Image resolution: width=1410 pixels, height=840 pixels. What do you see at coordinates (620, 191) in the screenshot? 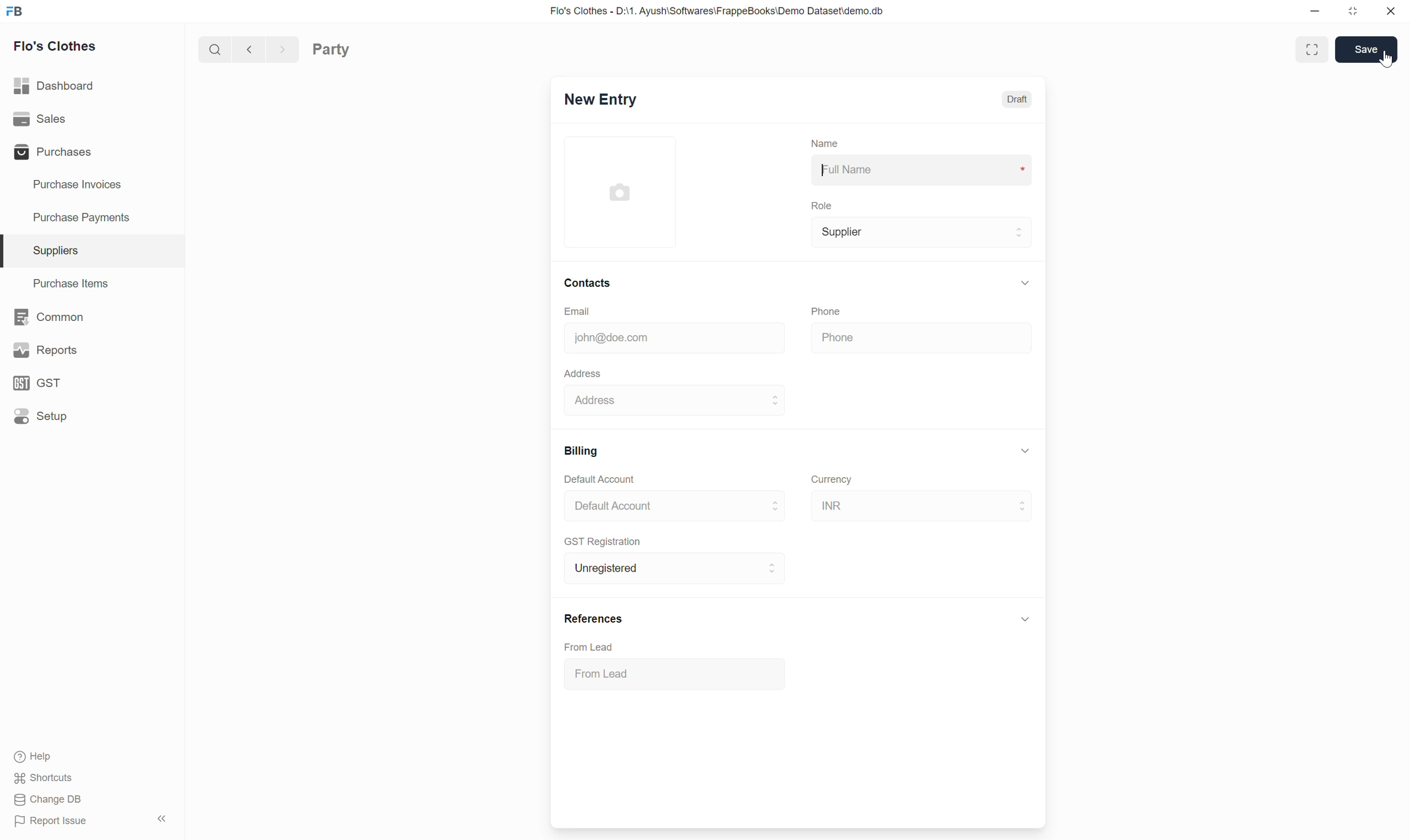
I see `Click to add image` at bounding box center [620, 191].